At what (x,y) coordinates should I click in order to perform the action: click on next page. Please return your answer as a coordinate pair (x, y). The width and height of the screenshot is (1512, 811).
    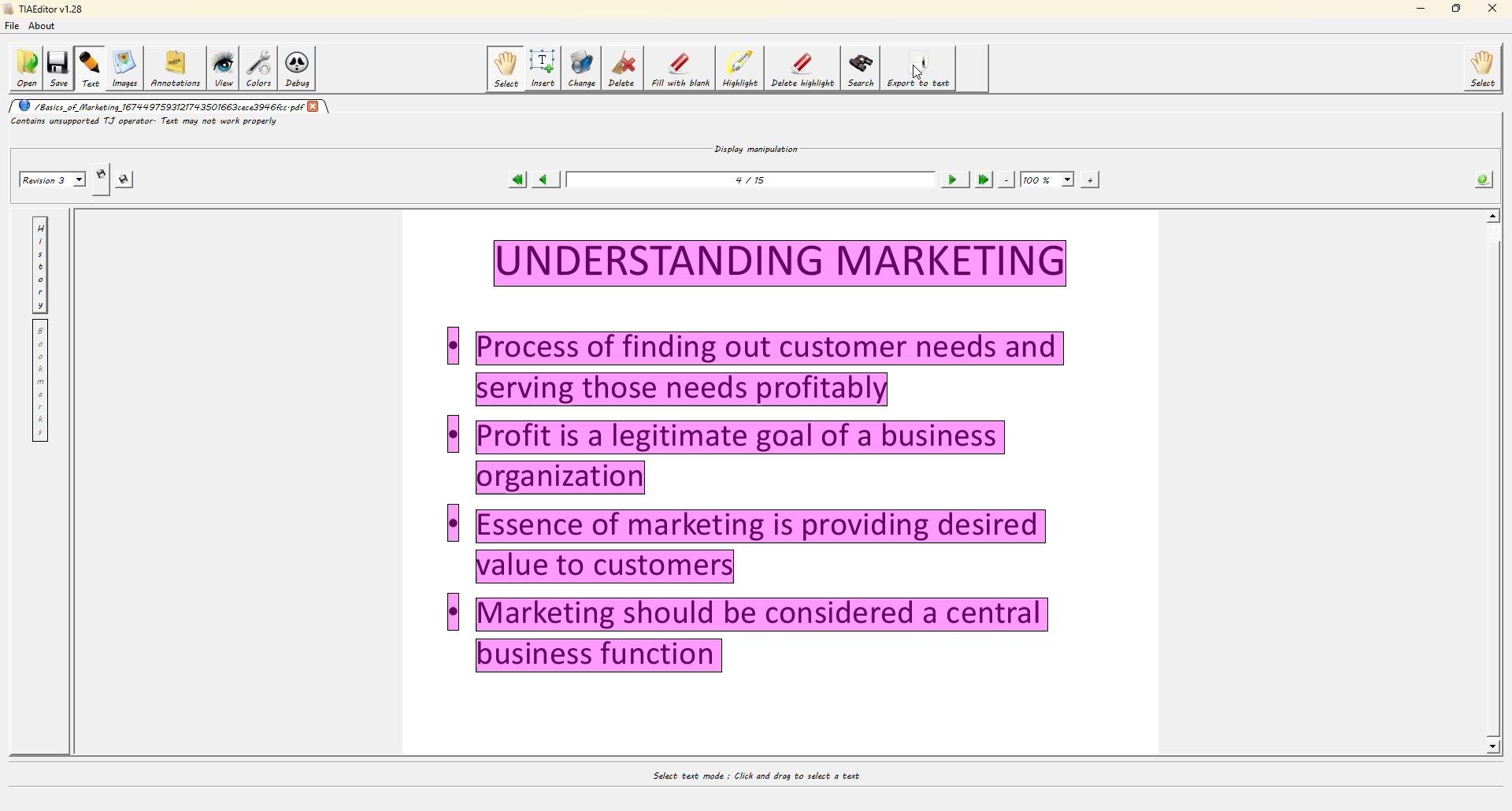
    Looking at the image, I should click on (951, 180).